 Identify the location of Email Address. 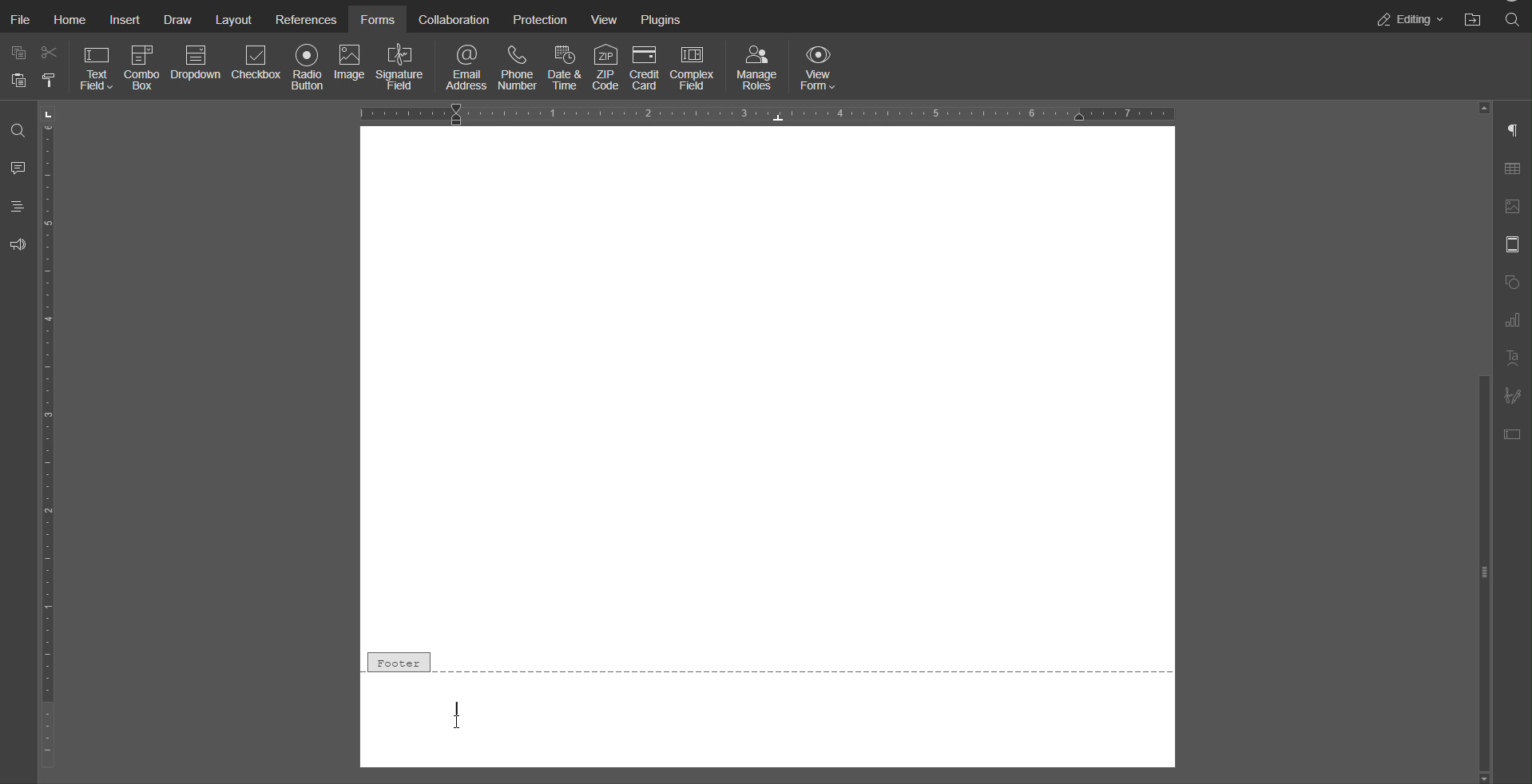
(467, 66).